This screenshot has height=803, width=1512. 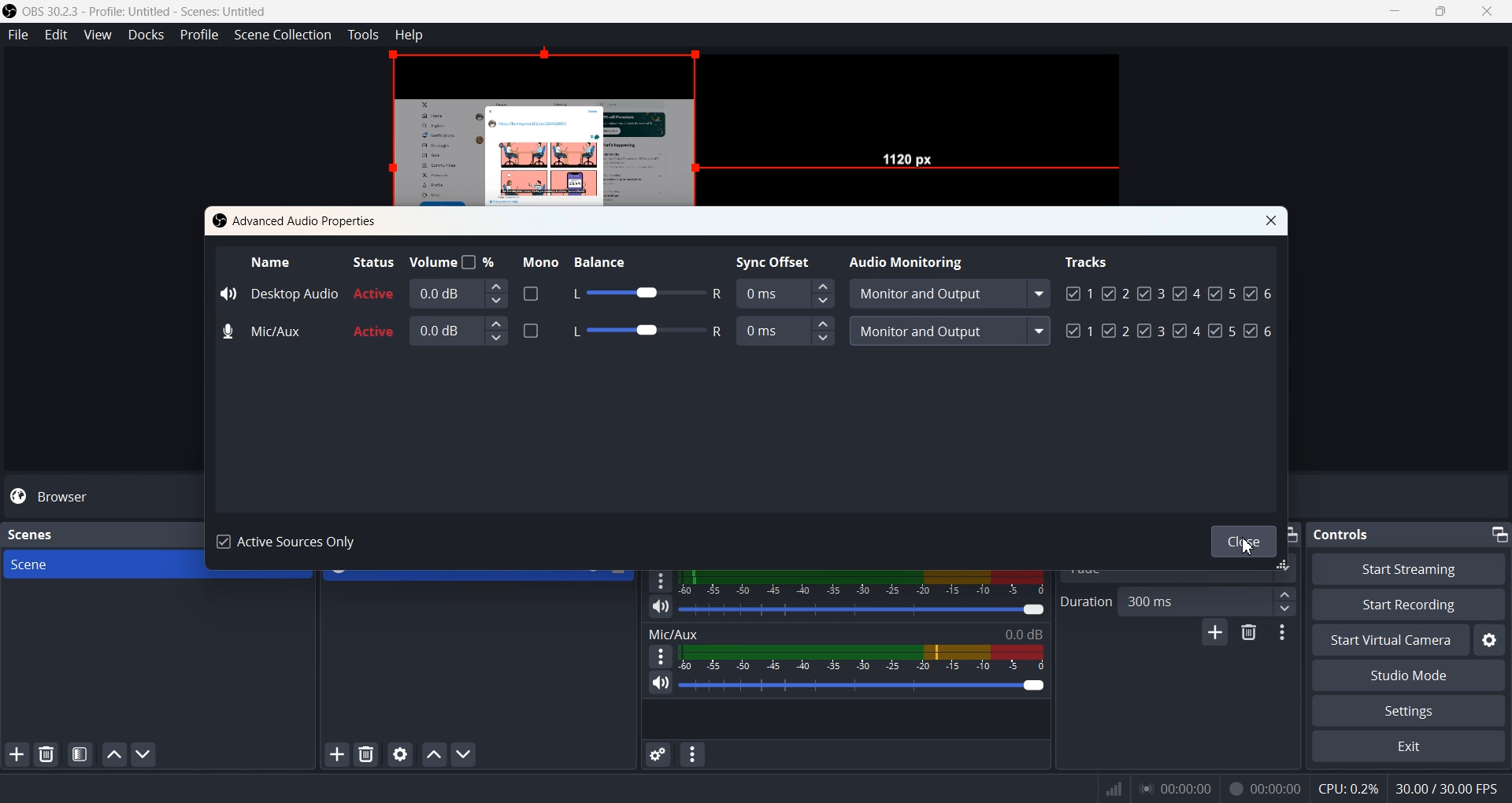 I want to click on Move scene up, so click(x=113, y=754).